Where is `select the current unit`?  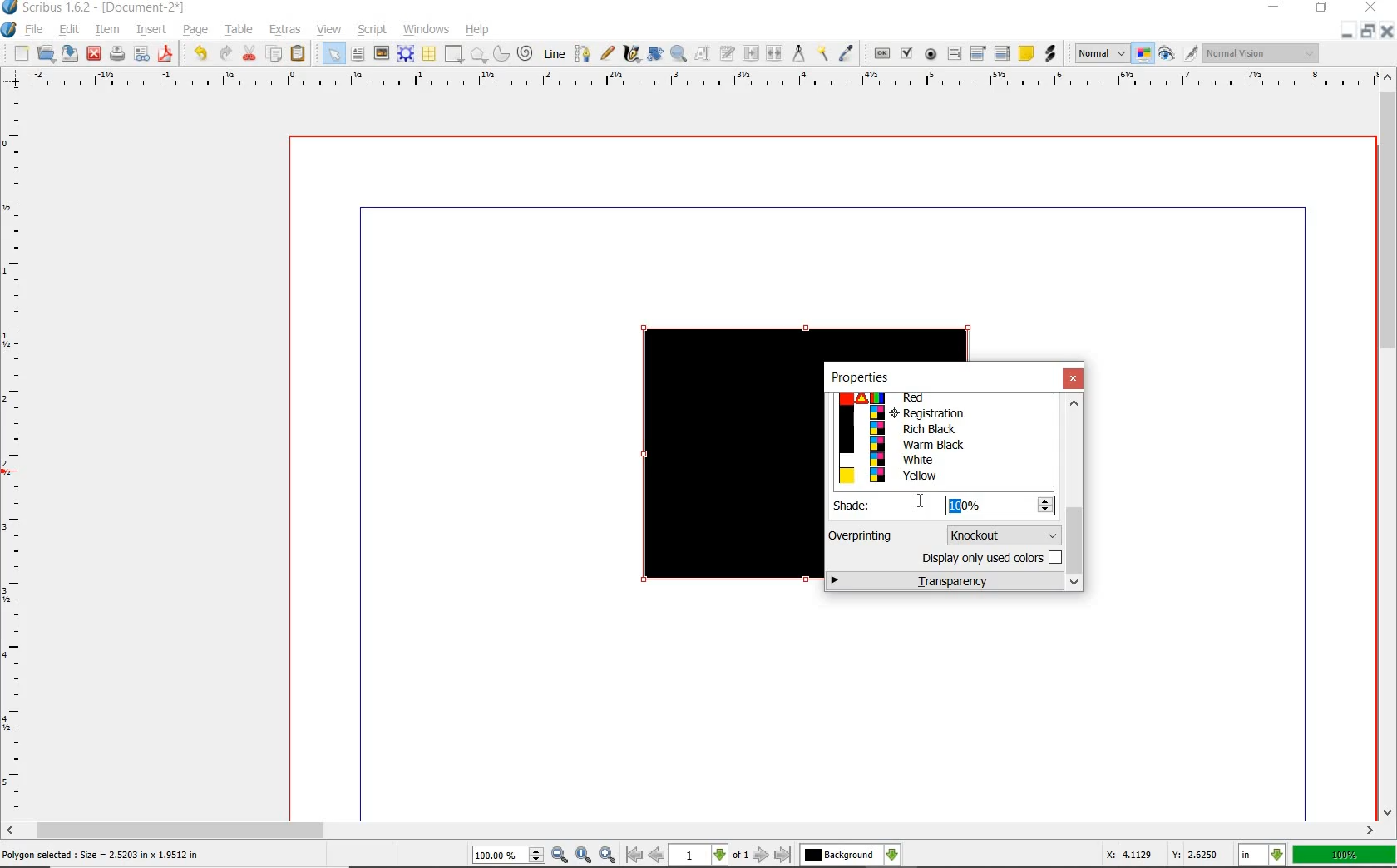 select the current unit is located at coordinates (1263, 856).